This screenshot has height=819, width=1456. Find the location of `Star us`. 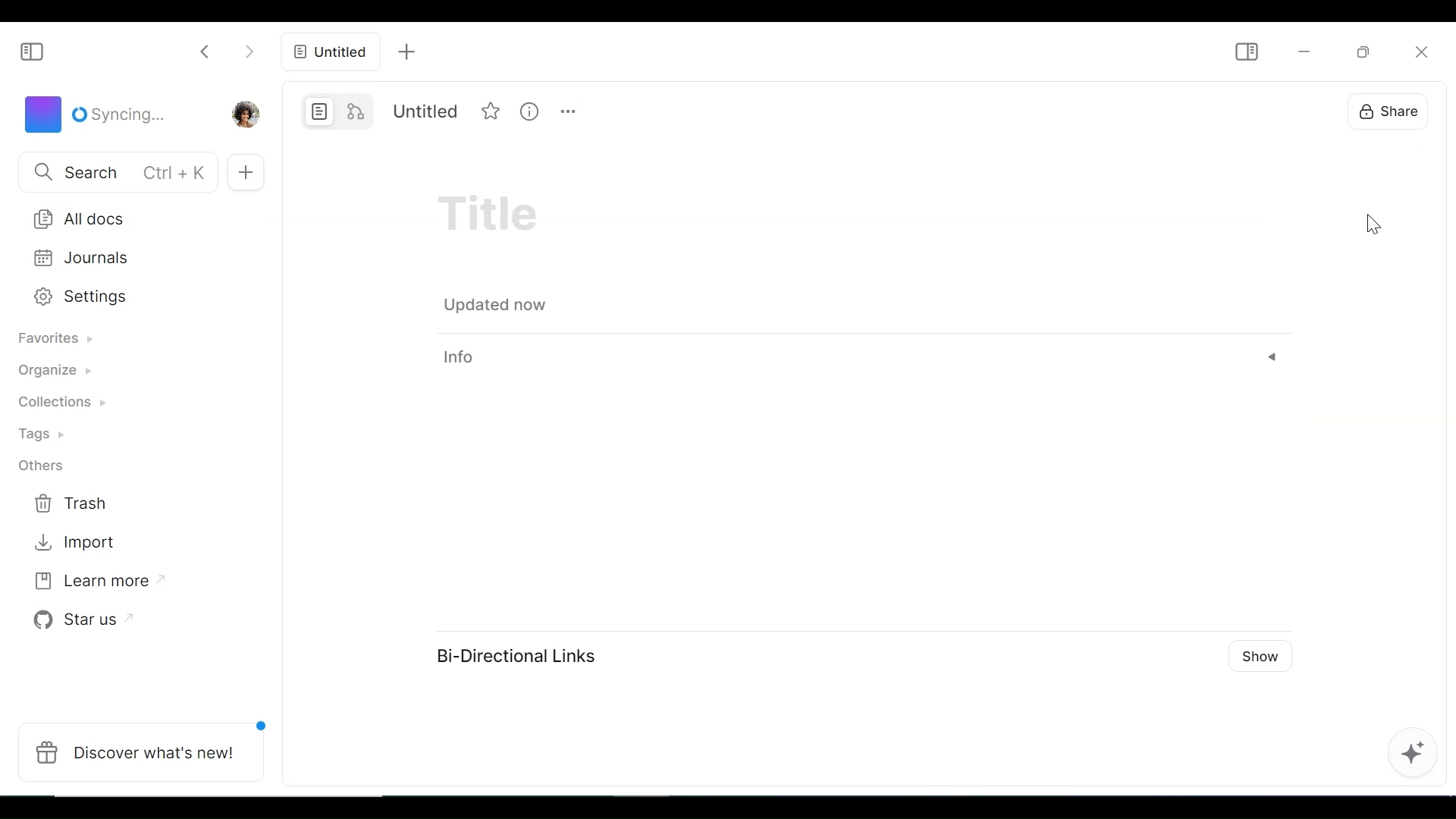

Star us is located at coordinates (83, 617).